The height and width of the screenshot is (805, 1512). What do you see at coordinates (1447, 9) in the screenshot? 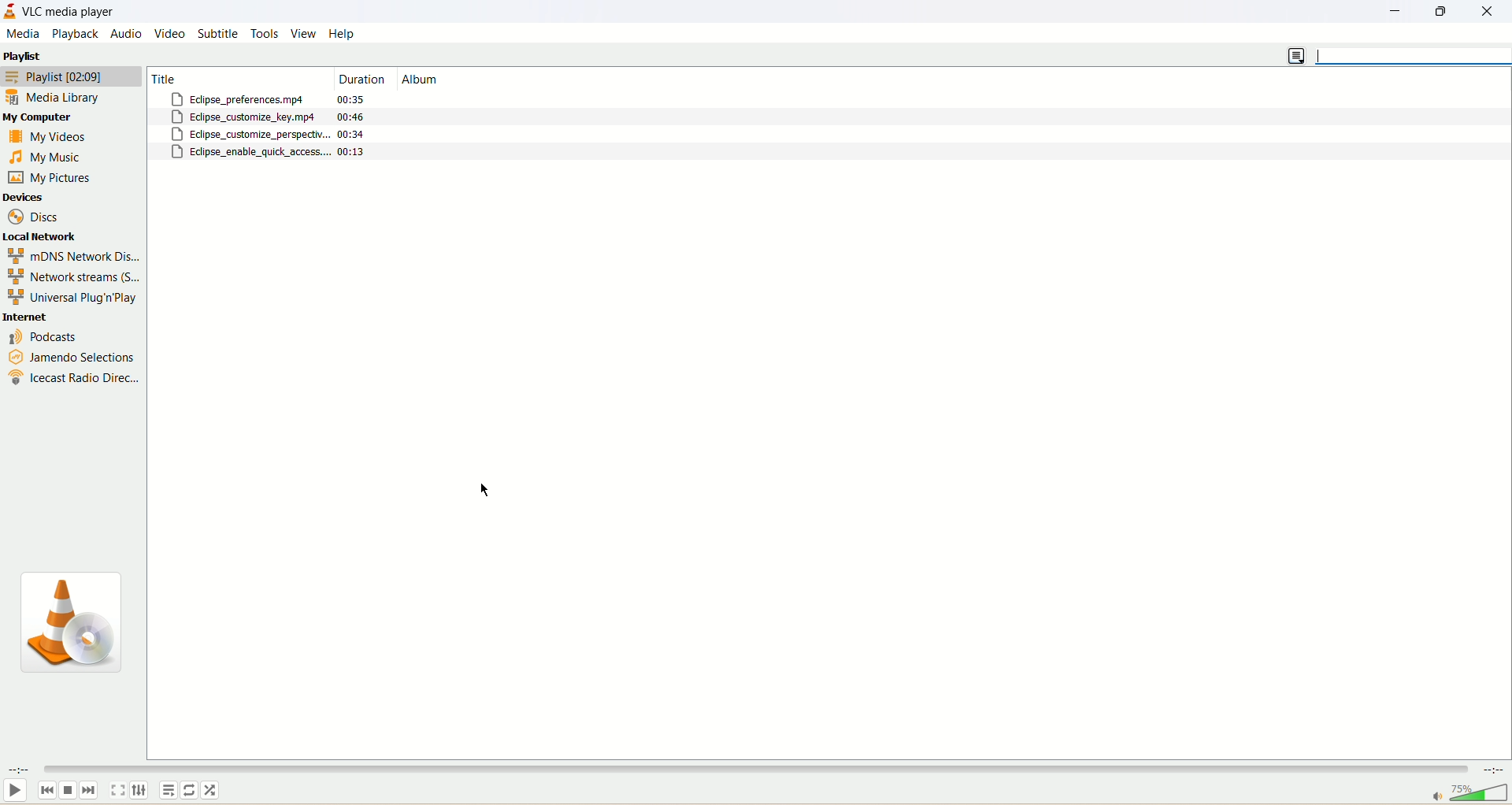
I see `maximize` at bounding box center [1447, 9].